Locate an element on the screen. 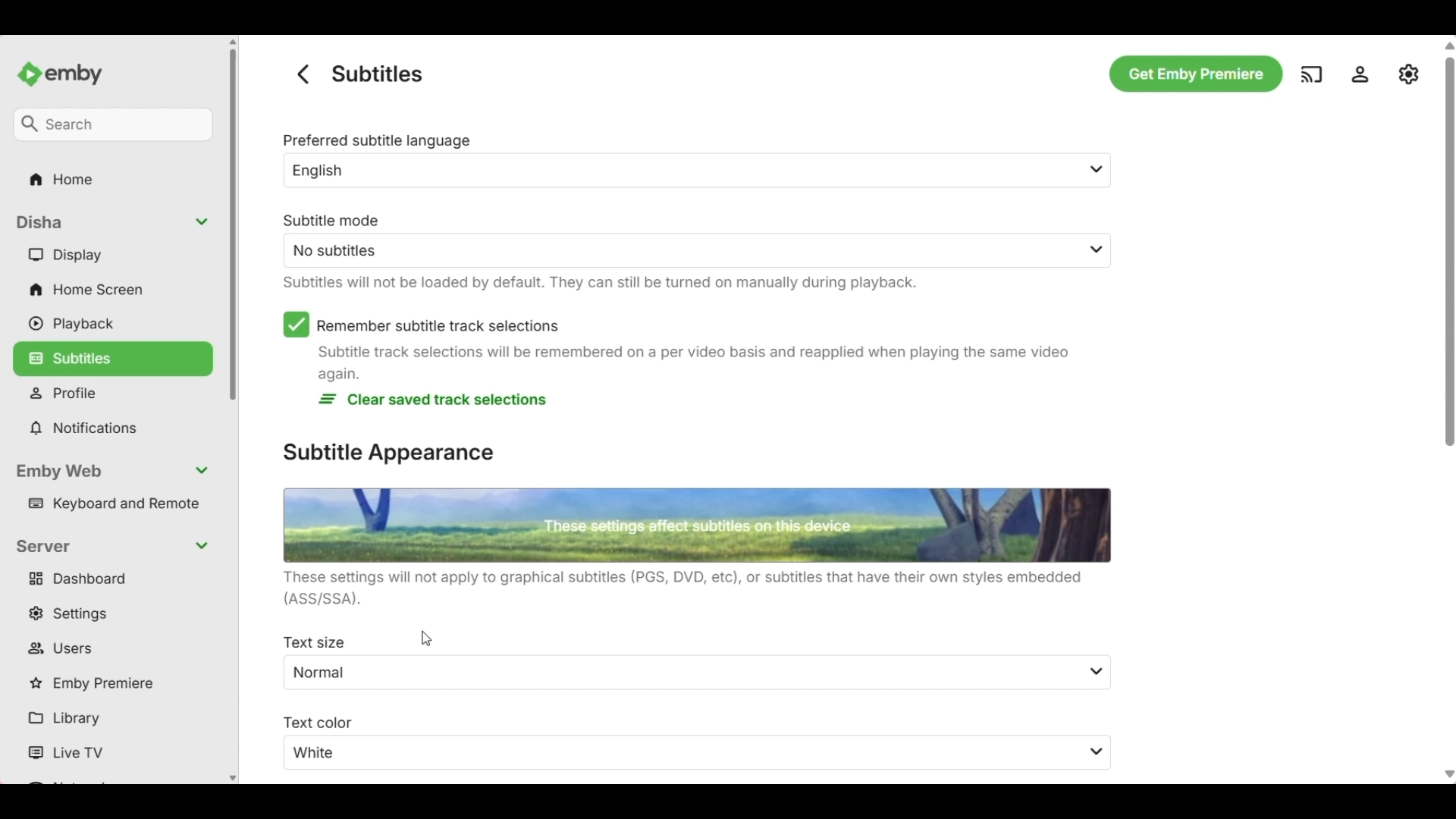 The height and width of the screenshot is (819, 1456). Emby premiere is located at coordinates (115, 684).